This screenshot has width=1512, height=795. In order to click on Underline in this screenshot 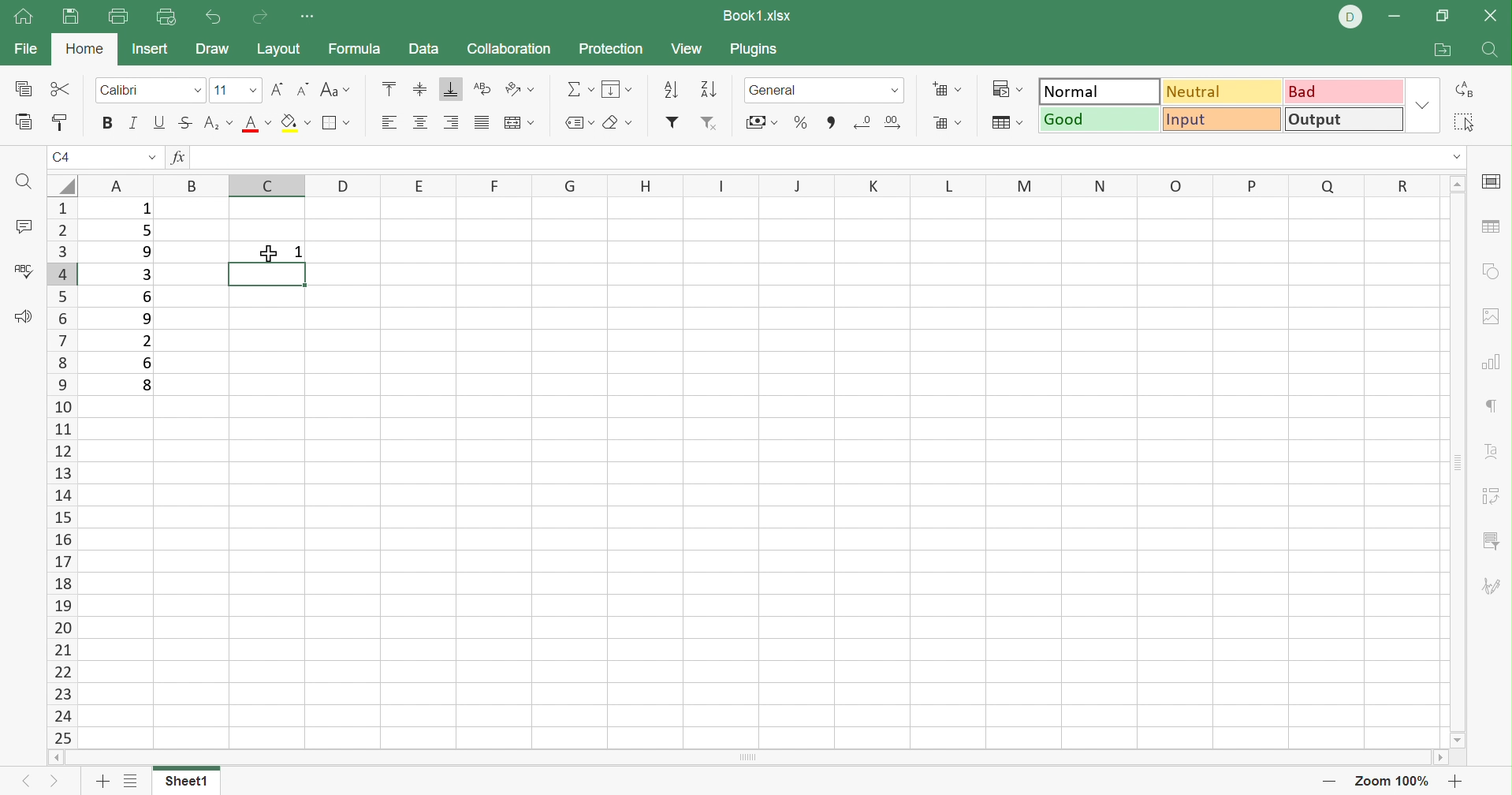, I will do `click(160, 125)`.